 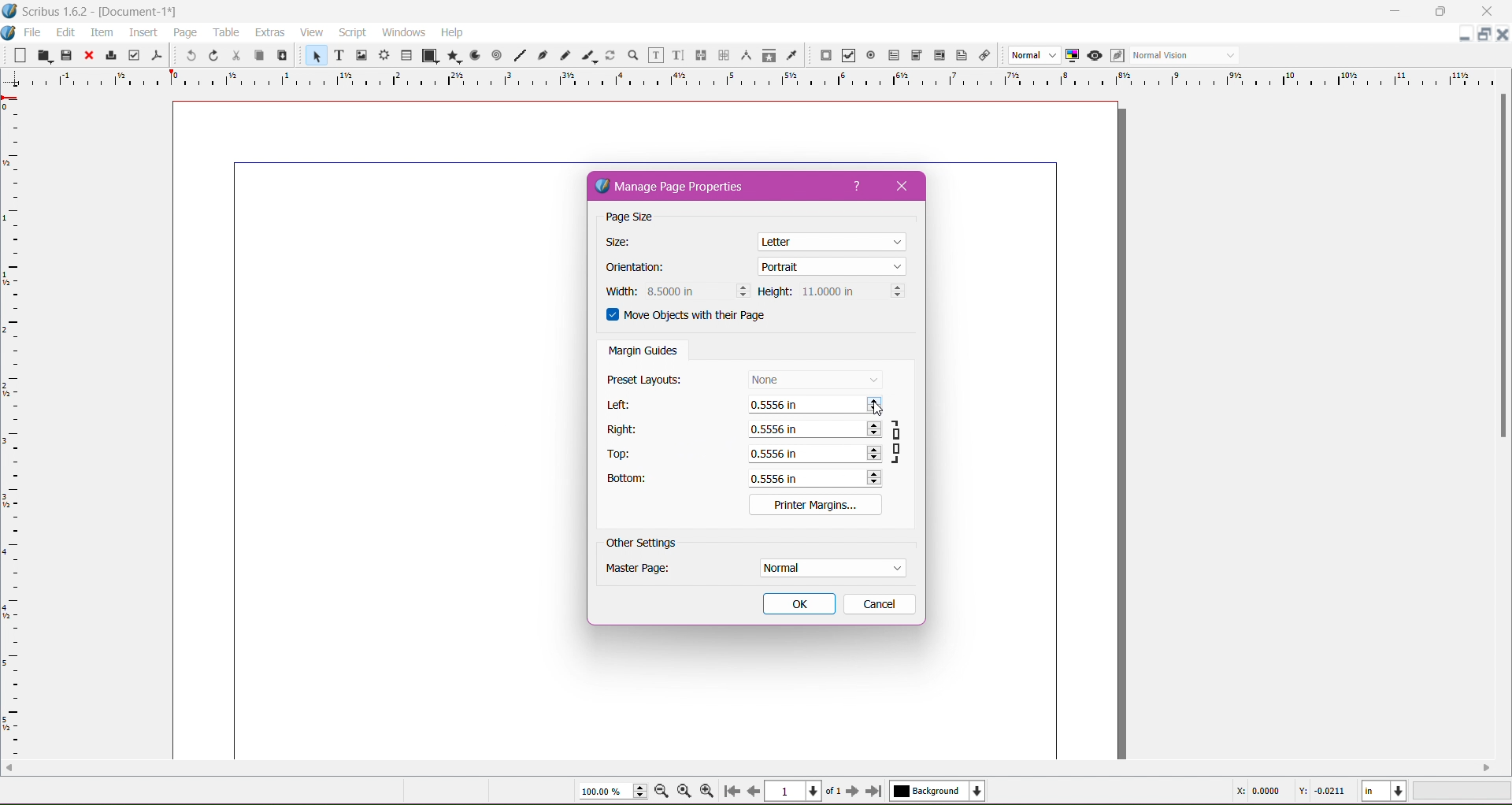 I want to click on Link Annotation, so click(x=986, y=57).